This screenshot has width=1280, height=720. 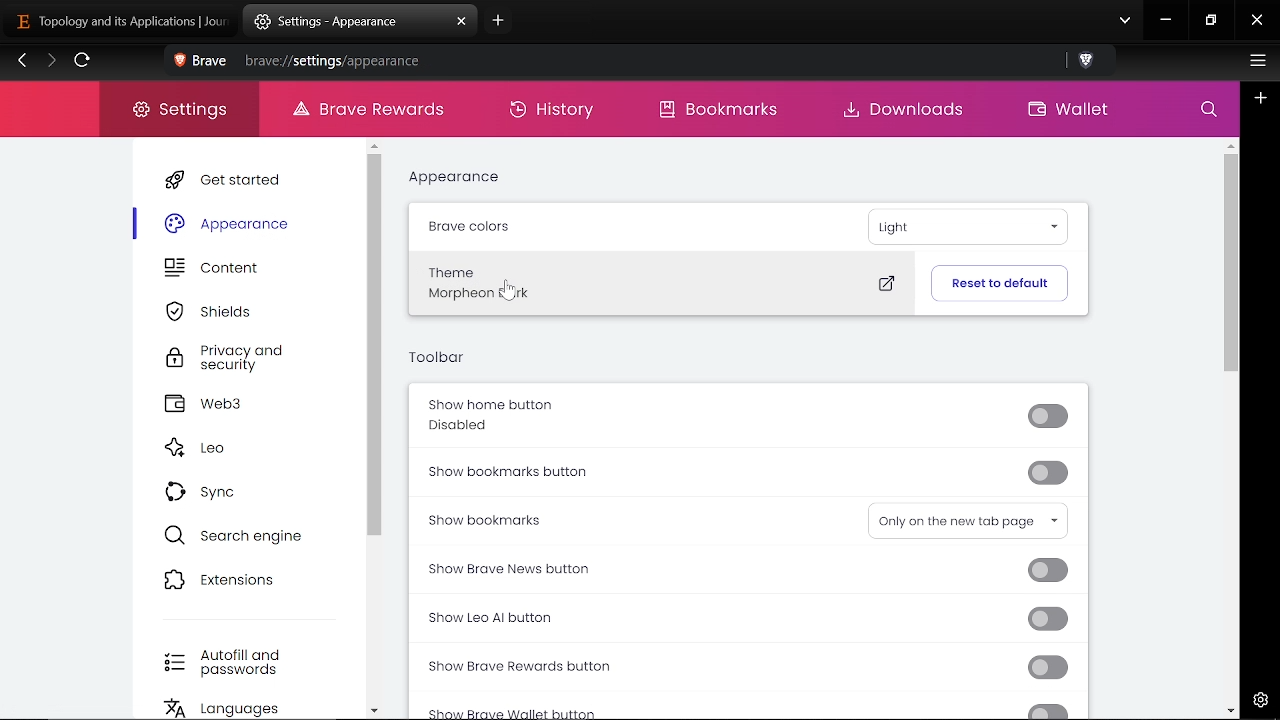 I want to click on Brave colors, so click(x=468, y=226).